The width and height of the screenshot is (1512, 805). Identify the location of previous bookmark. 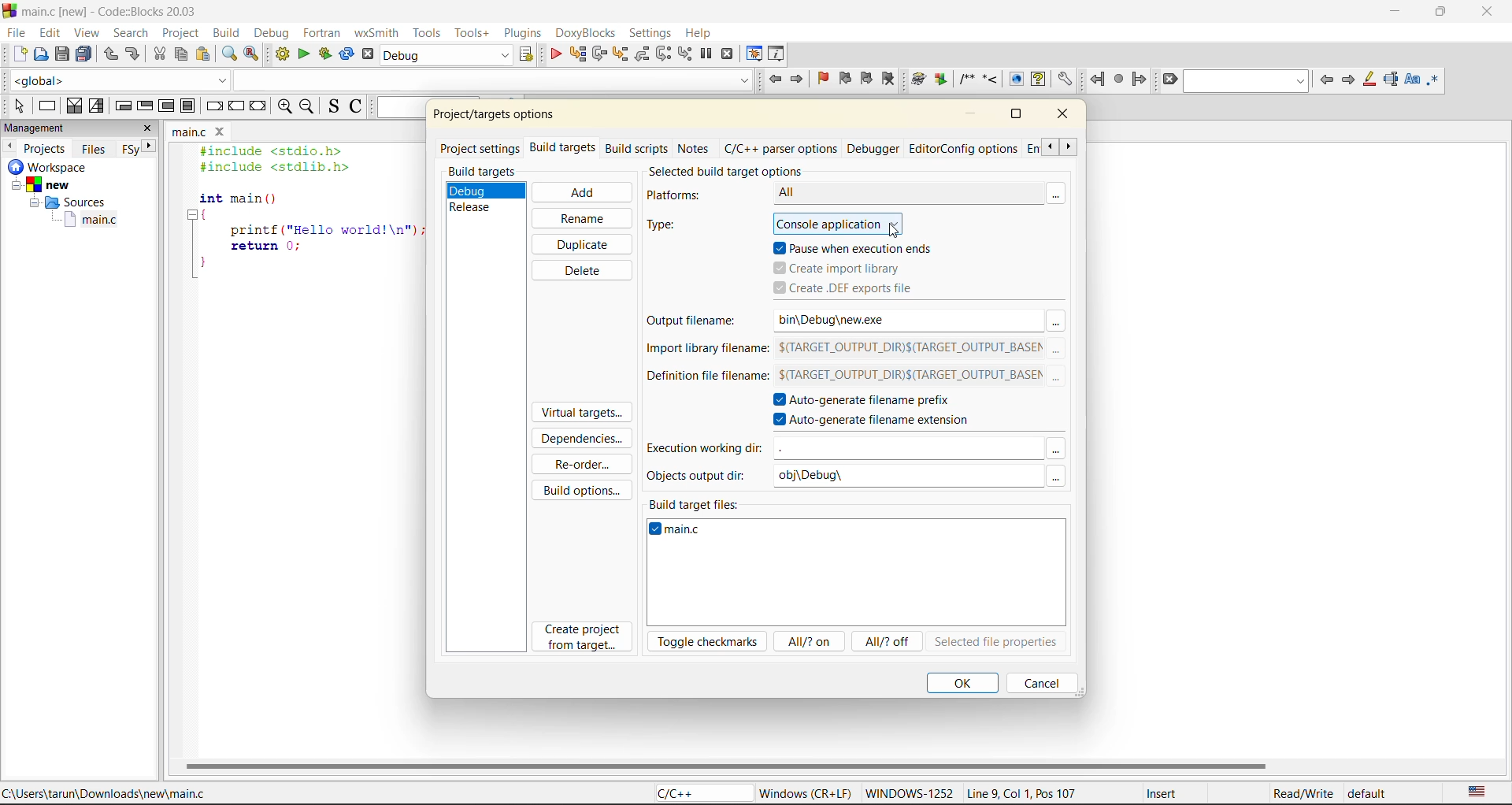
(846, 79).